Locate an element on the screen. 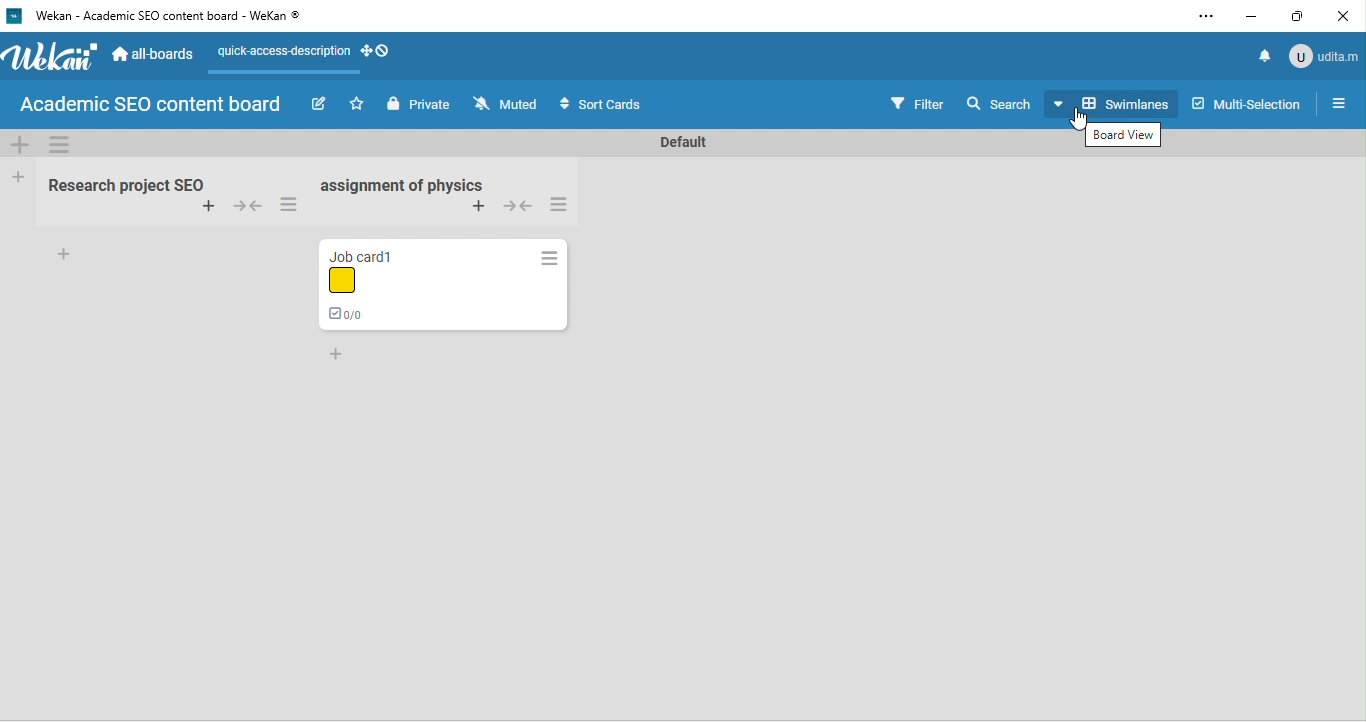 This screenshot has width=1366, height=722. collapse is located at coordinates (519, 209).